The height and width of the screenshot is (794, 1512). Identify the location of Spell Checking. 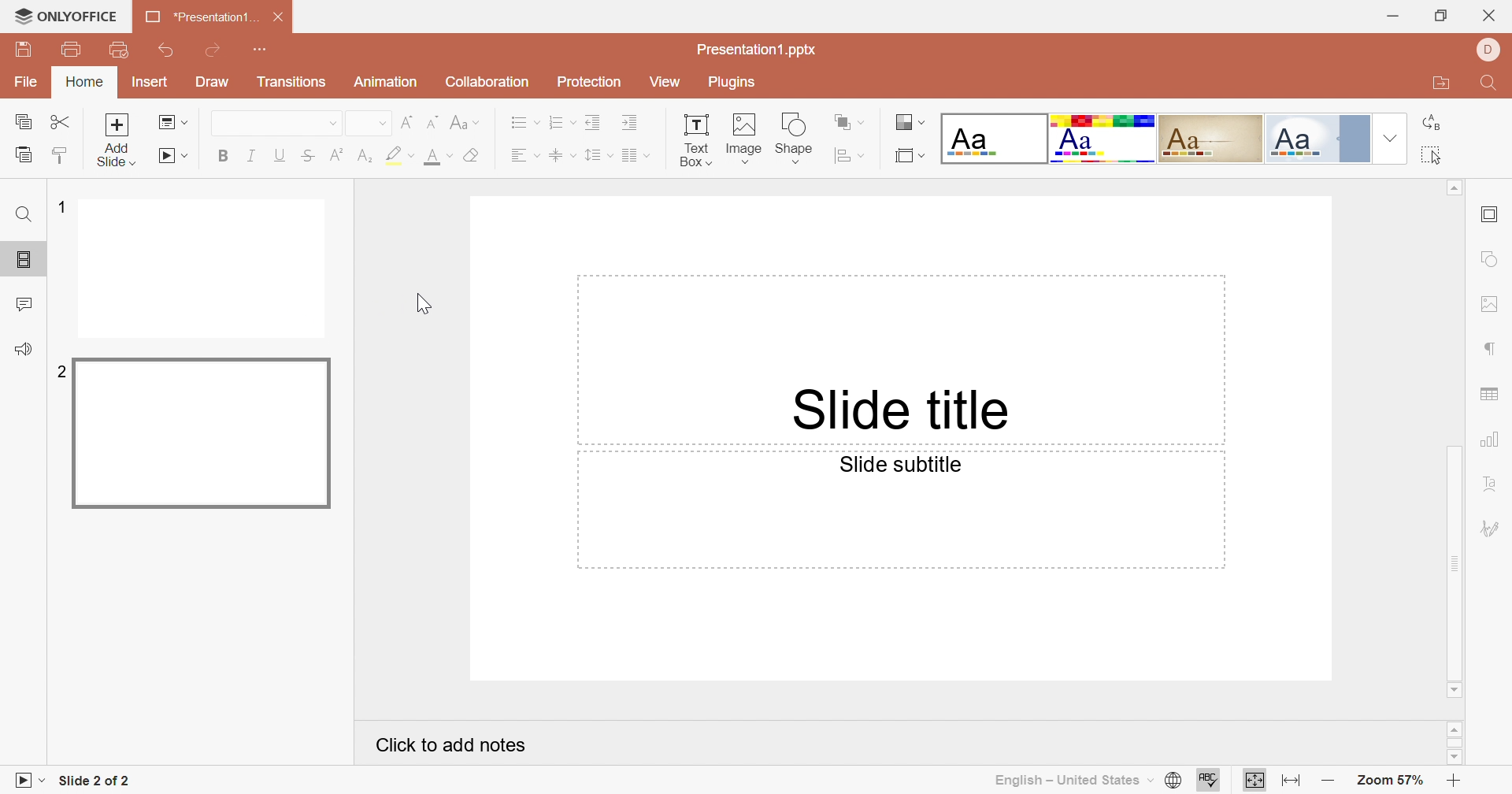
(1212, 779).